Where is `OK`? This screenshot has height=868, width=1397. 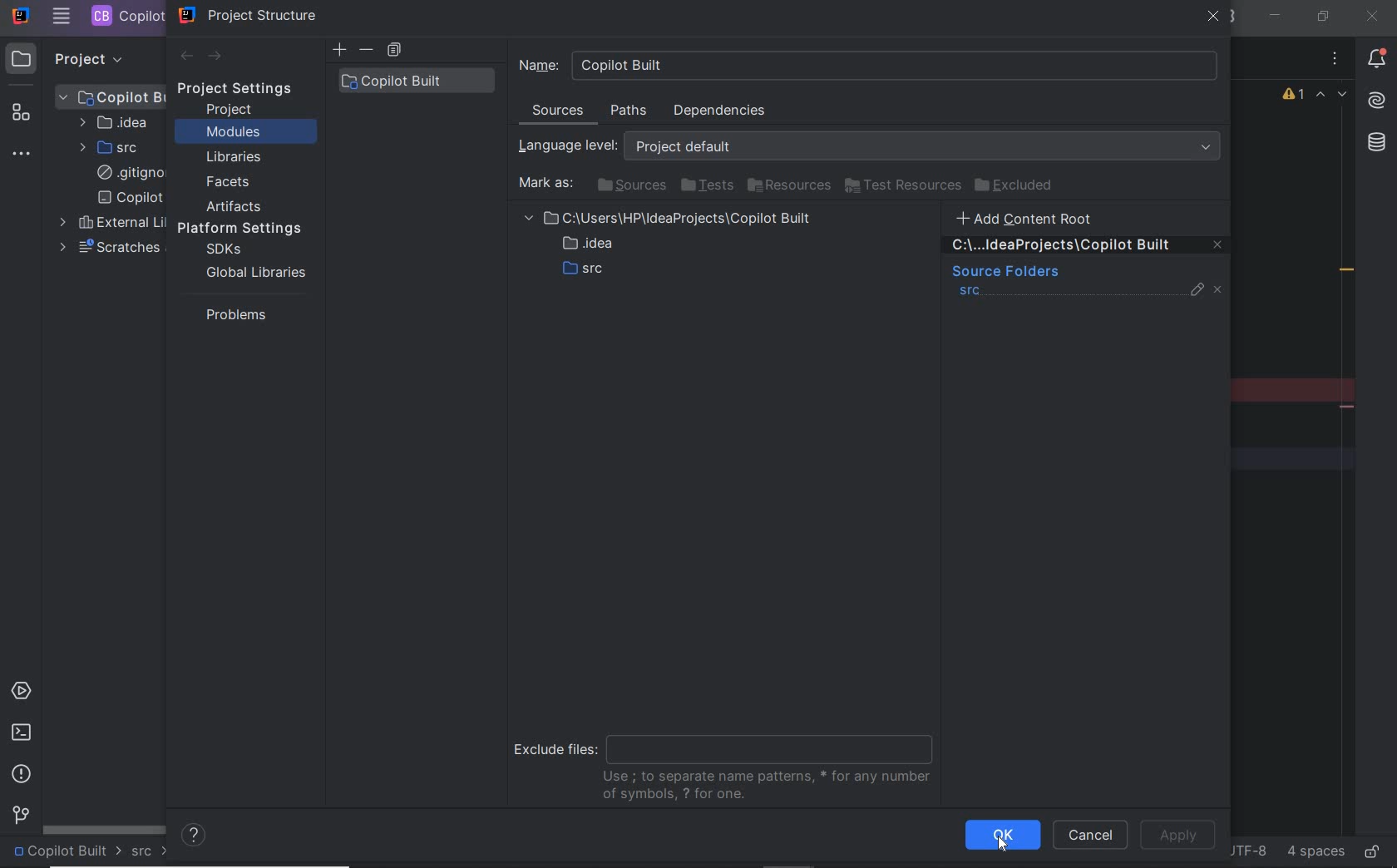 OK is located at coordinates (1003, 835).